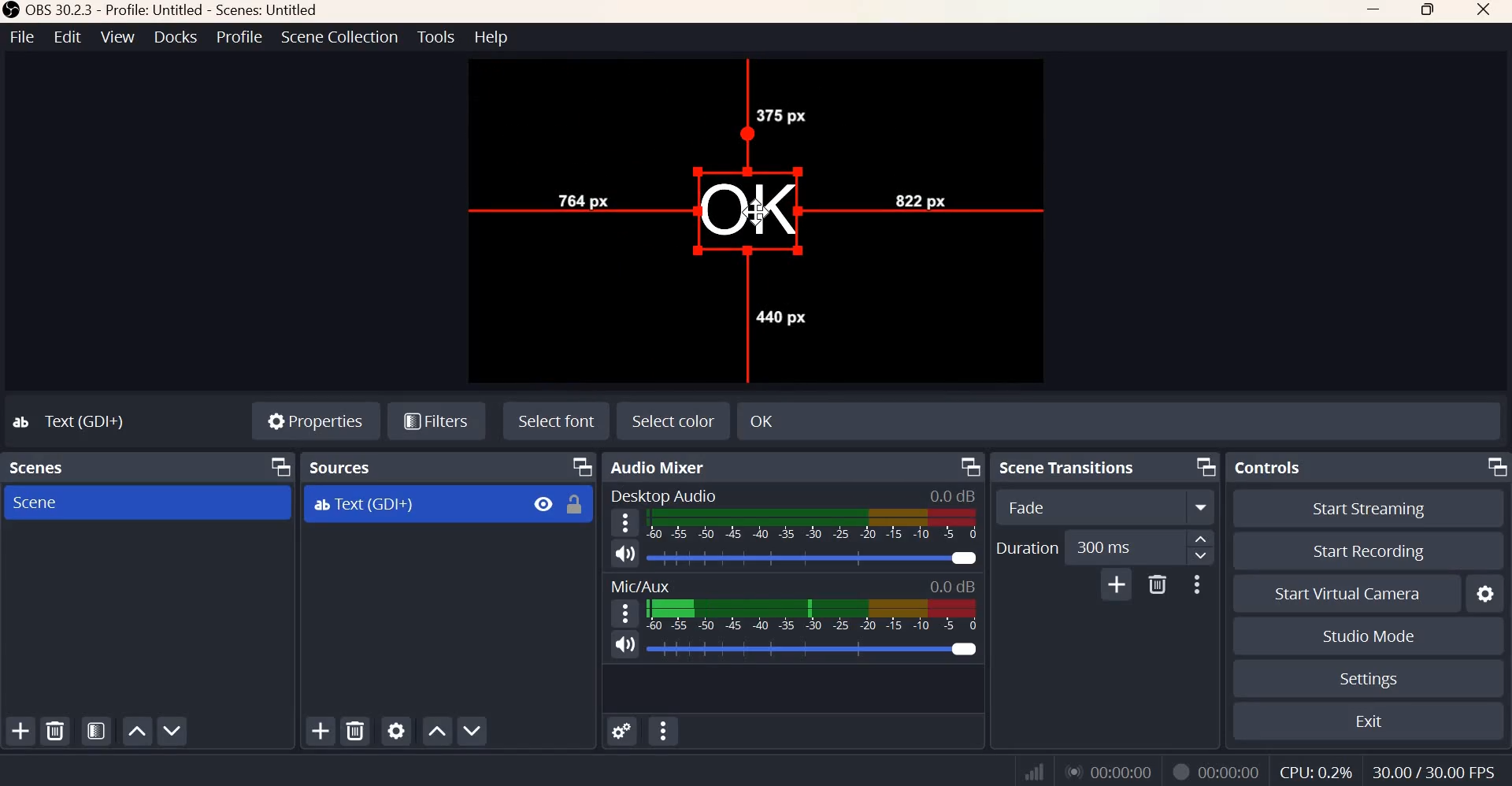 Image resolution: width=1512 pixels, height=786 pixels. I want to click on move source(s) up, so click(437, 732).